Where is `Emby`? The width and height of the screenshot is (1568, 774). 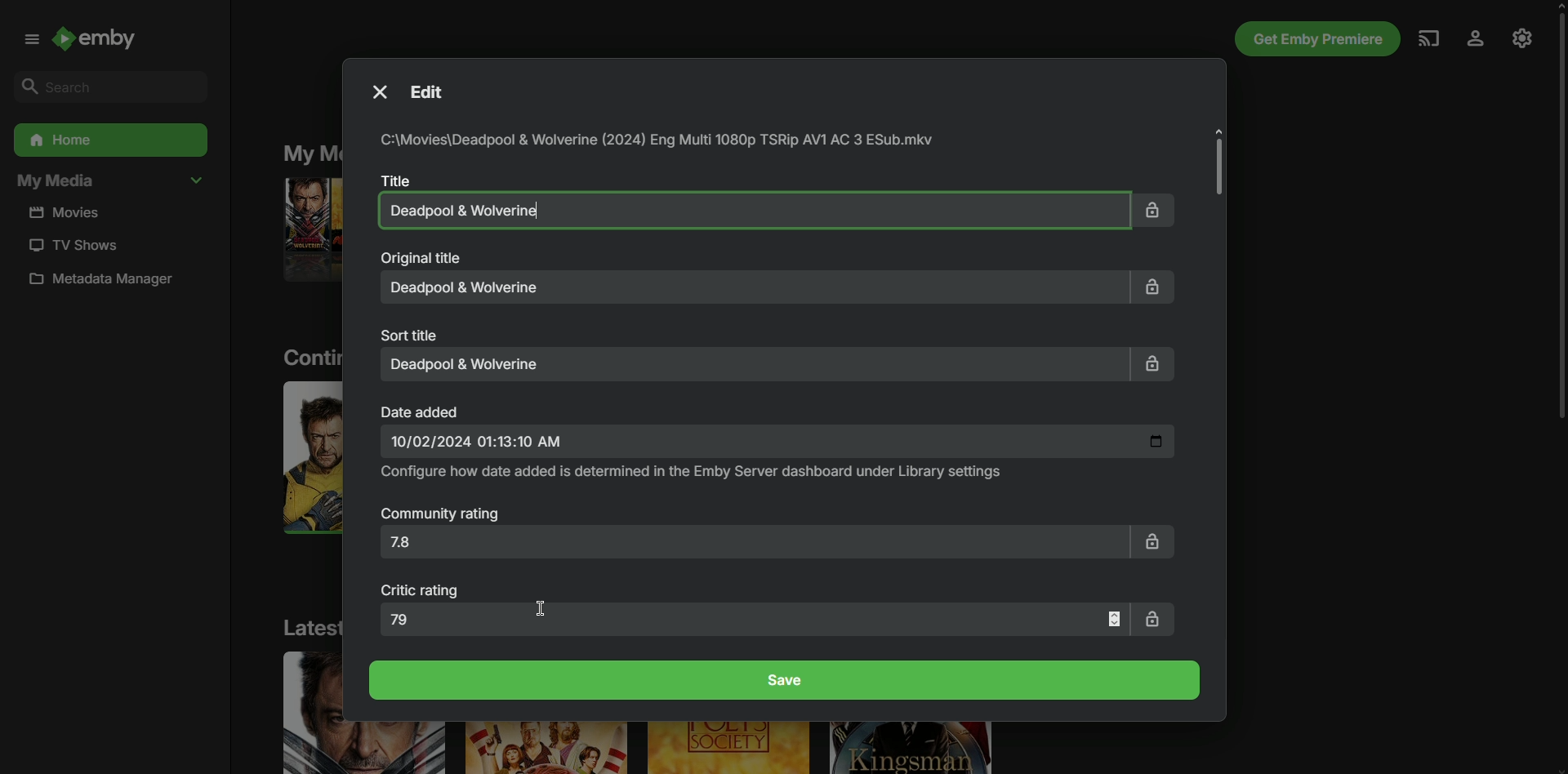 Emby is located at coordinates (105, 42).